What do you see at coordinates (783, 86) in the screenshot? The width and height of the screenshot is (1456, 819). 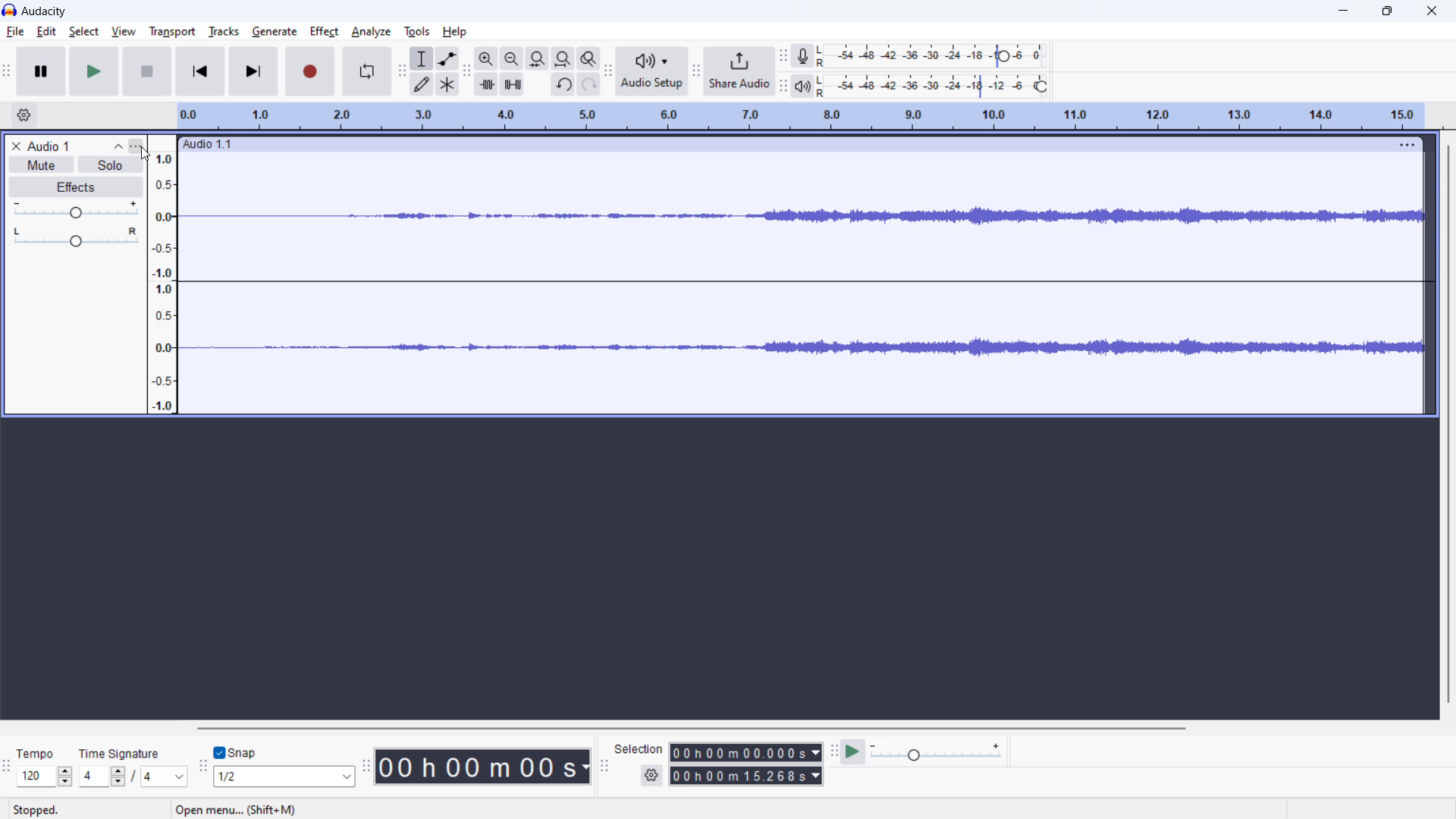 I see `playback meter toolbar` at bounding box center [783, 86].